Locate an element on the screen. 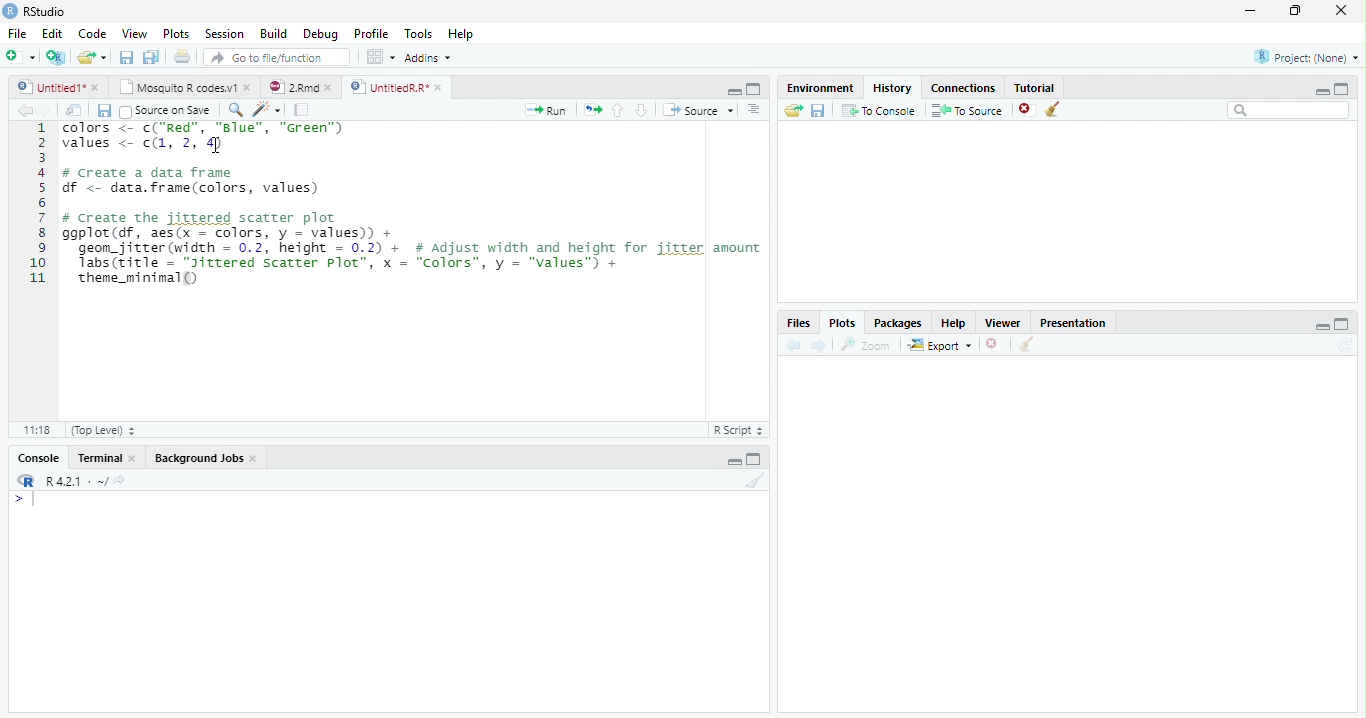 The image size is (1366, 718). Open recent files is located at coordinates (104, 57).